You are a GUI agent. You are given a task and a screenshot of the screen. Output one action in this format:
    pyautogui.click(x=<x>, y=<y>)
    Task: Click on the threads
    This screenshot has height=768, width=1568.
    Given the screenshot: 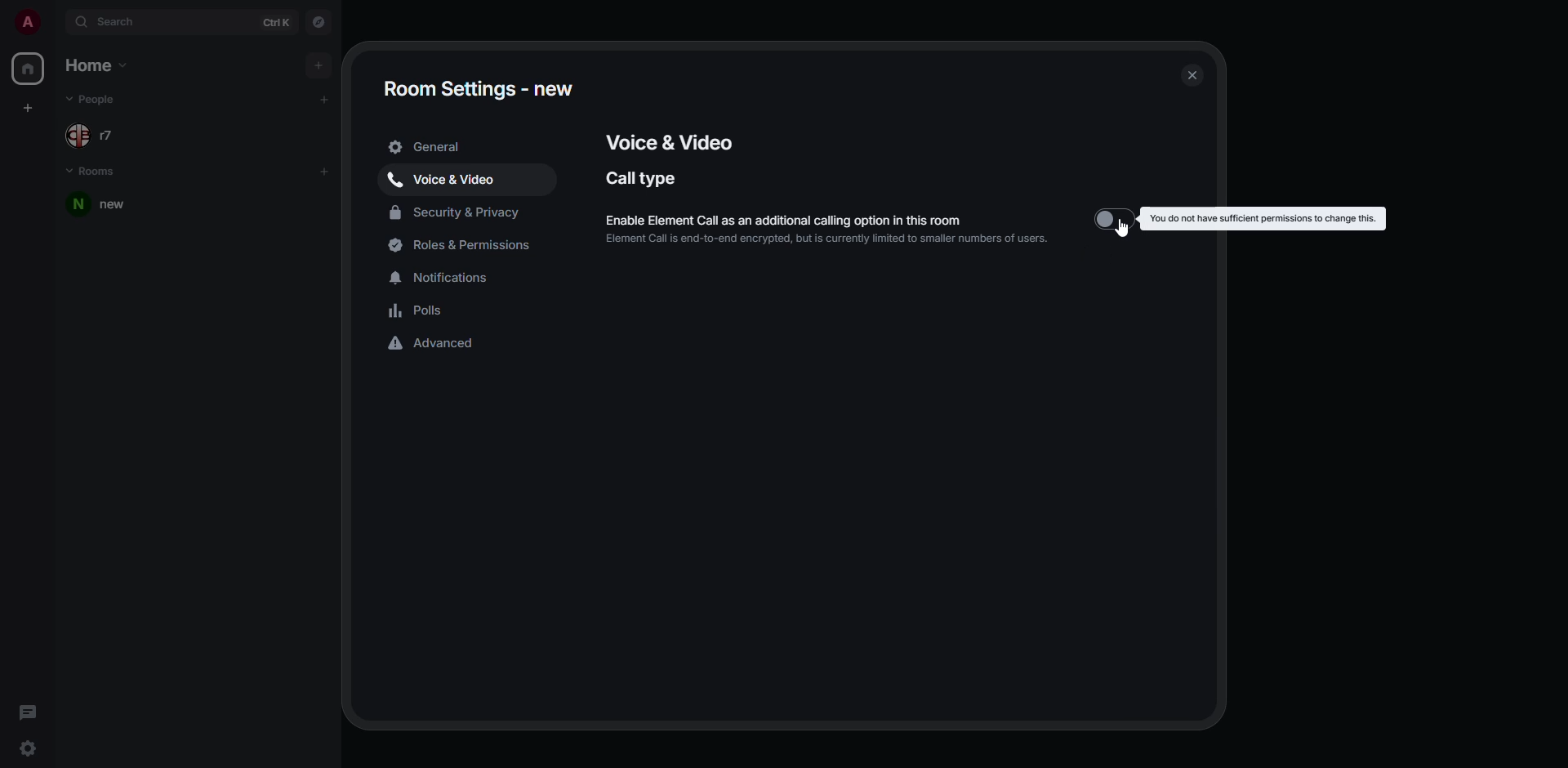 What is the action you would take?
    pyautogui.click(x=28, y=711)
    